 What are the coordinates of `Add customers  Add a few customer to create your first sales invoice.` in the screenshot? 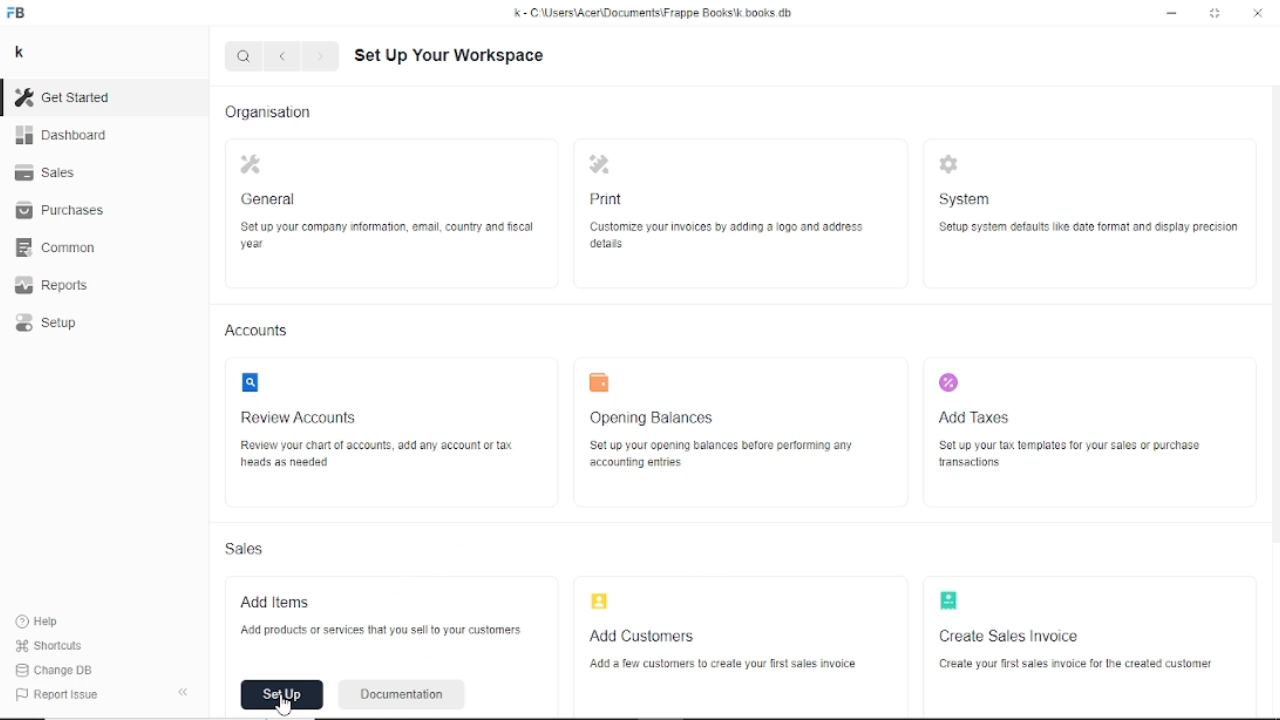 It's located at (720, 631).